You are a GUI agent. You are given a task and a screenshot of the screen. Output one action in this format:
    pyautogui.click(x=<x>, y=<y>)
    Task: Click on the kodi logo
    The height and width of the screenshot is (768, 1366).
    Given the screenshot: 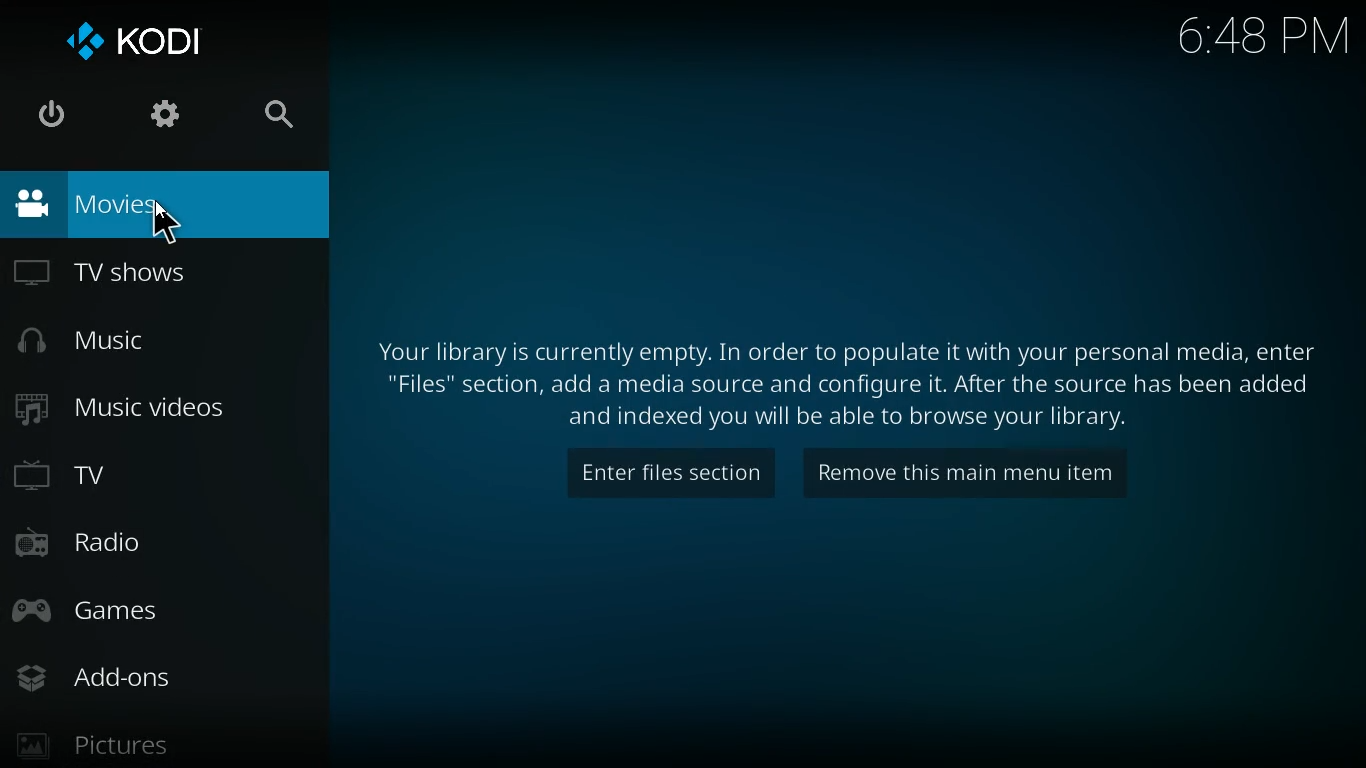 What is the action you would take?
    pyautogui.click(x=137, y=36)
    